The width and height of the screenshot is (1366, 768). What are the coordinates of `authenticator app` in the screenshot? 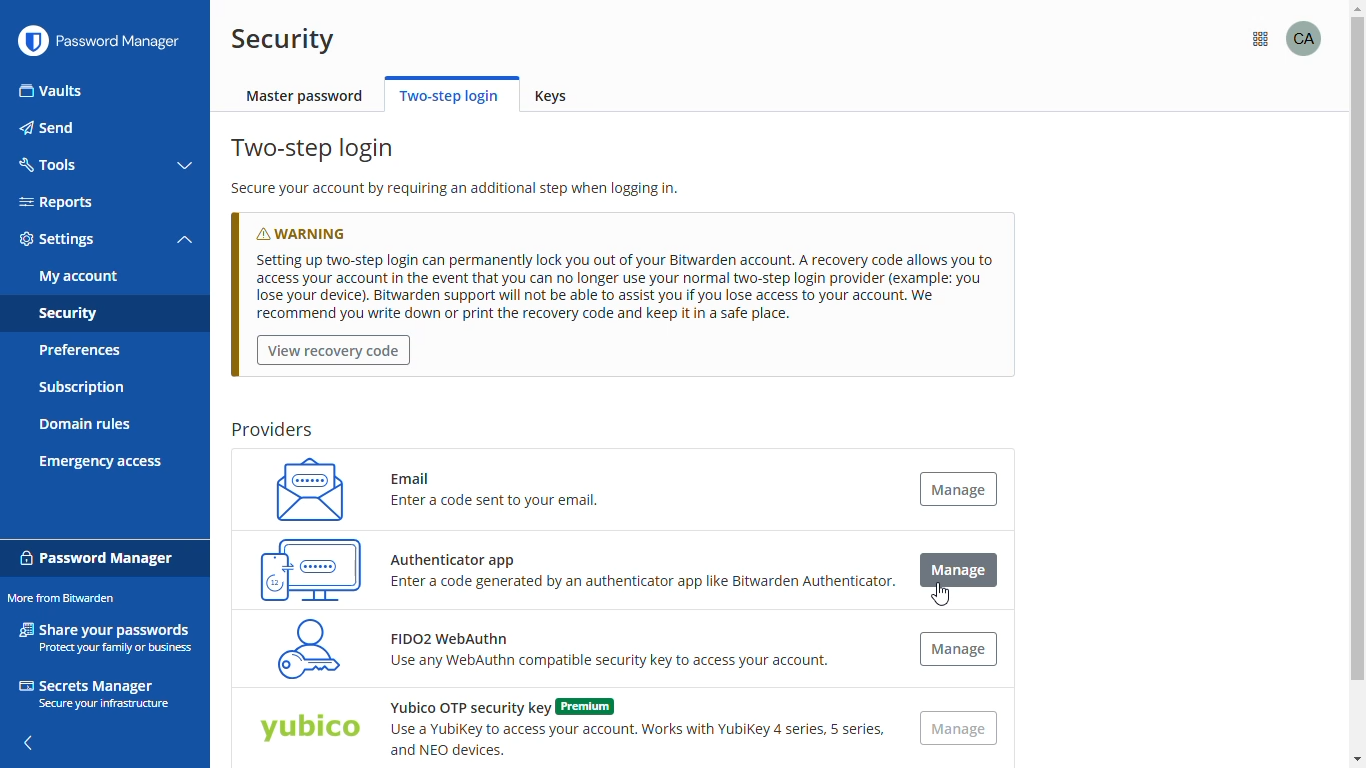 It's located at (311, 569).